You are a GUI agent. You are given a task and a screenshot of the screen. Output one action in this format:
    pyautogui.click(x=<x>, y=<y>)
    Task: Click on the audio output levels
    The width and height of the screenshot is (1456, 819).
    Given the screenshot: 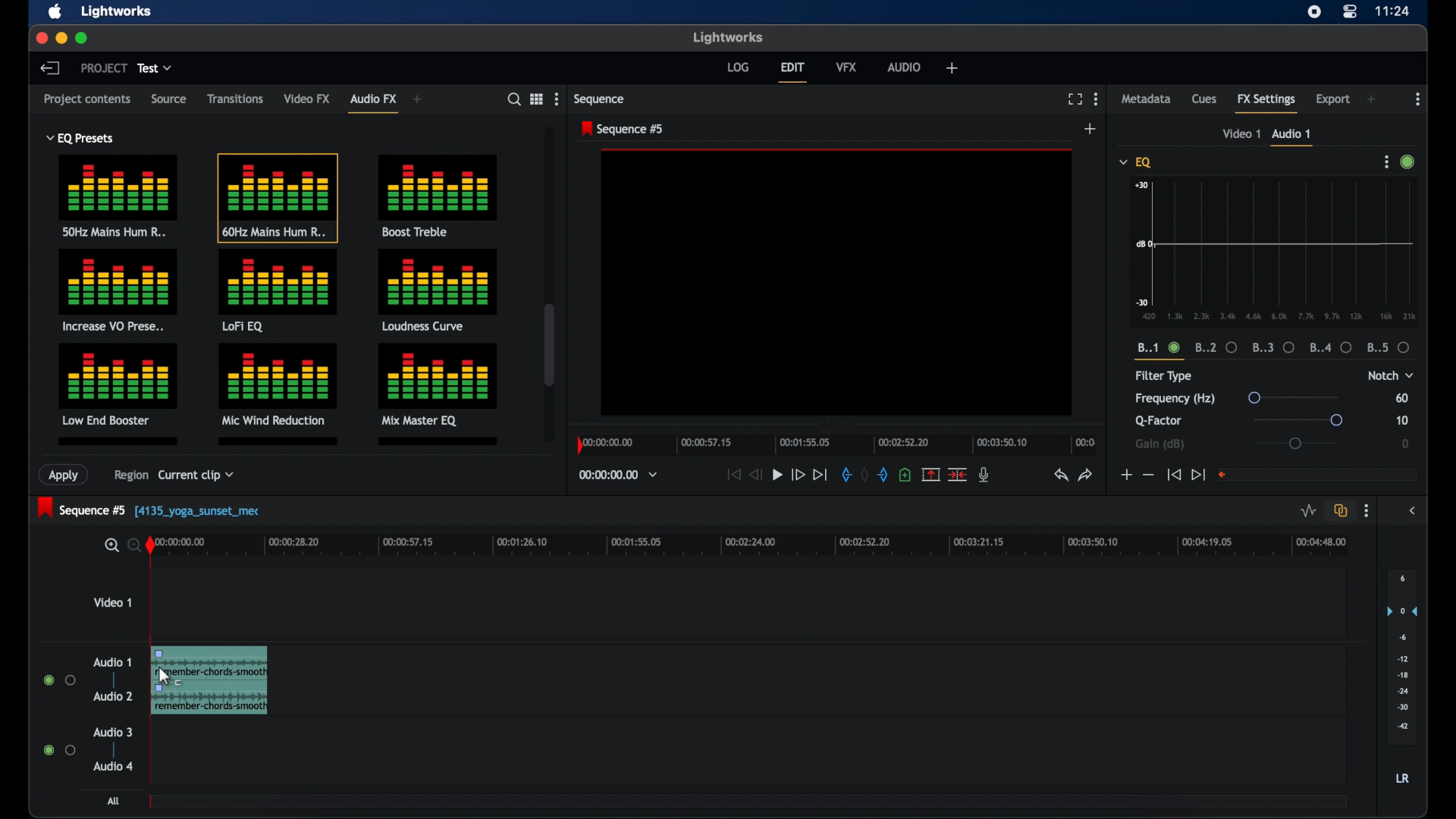 What is the action you would take?
    pyautogui.click(x=1402, y=657)
    